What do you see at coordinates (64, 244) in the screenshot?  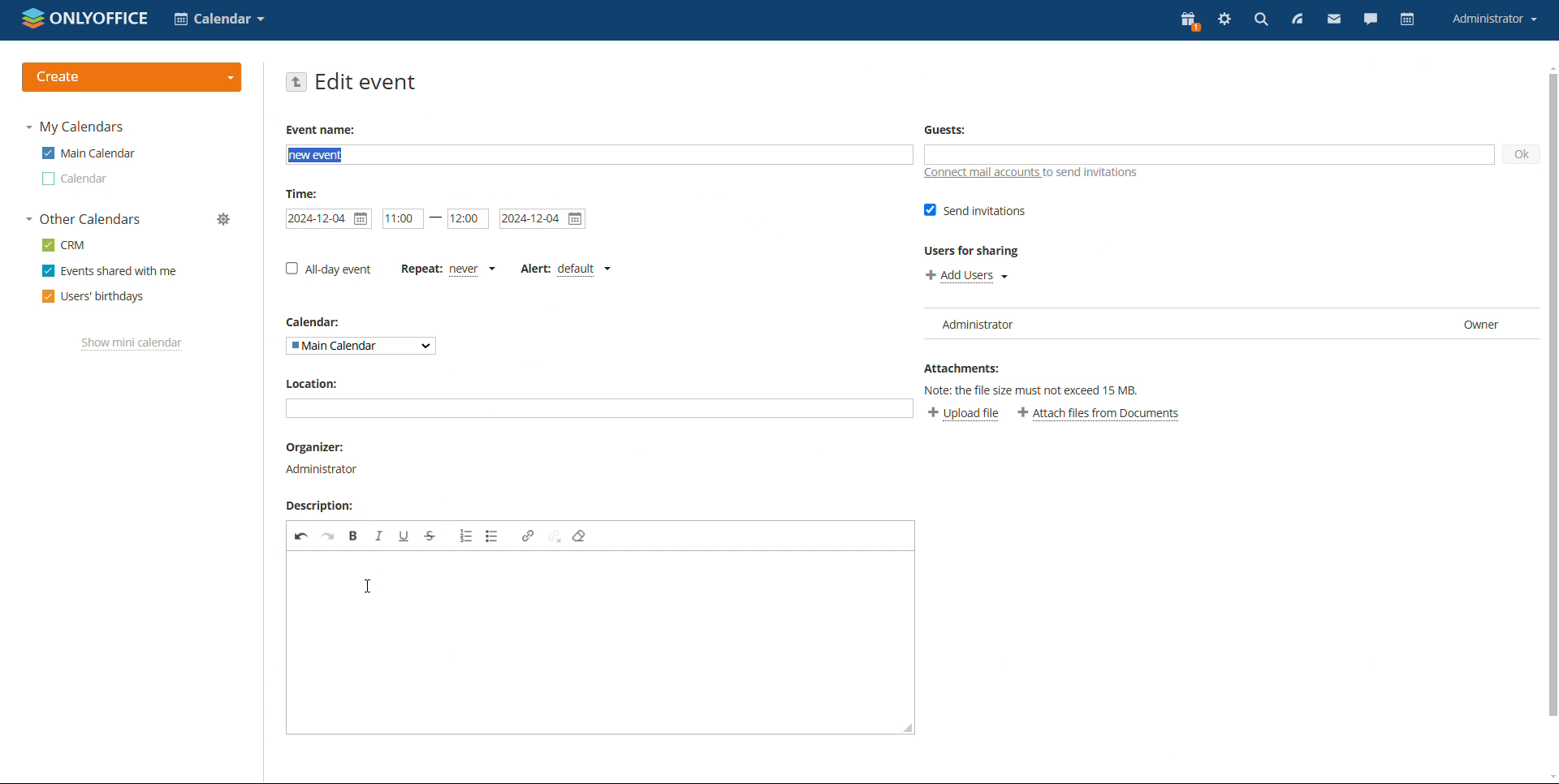 I see `crm` at bounding box center [64, 244].